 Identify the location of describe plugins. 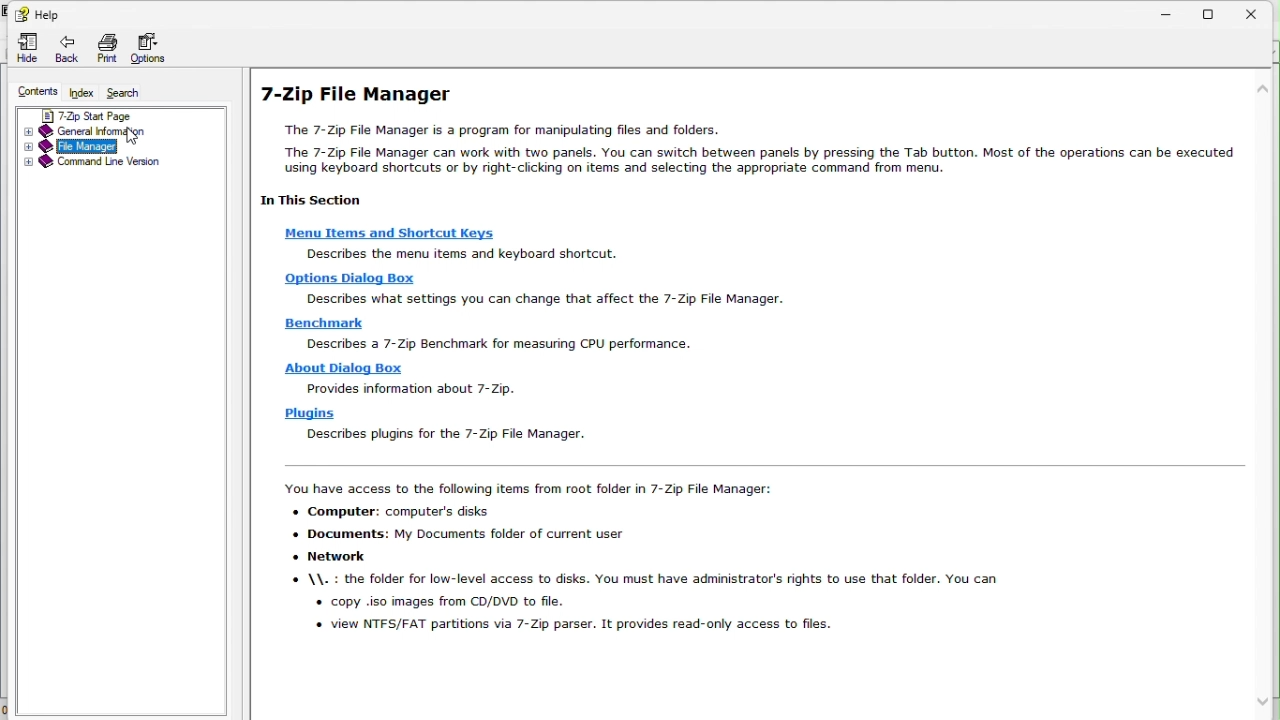
(451, 434).